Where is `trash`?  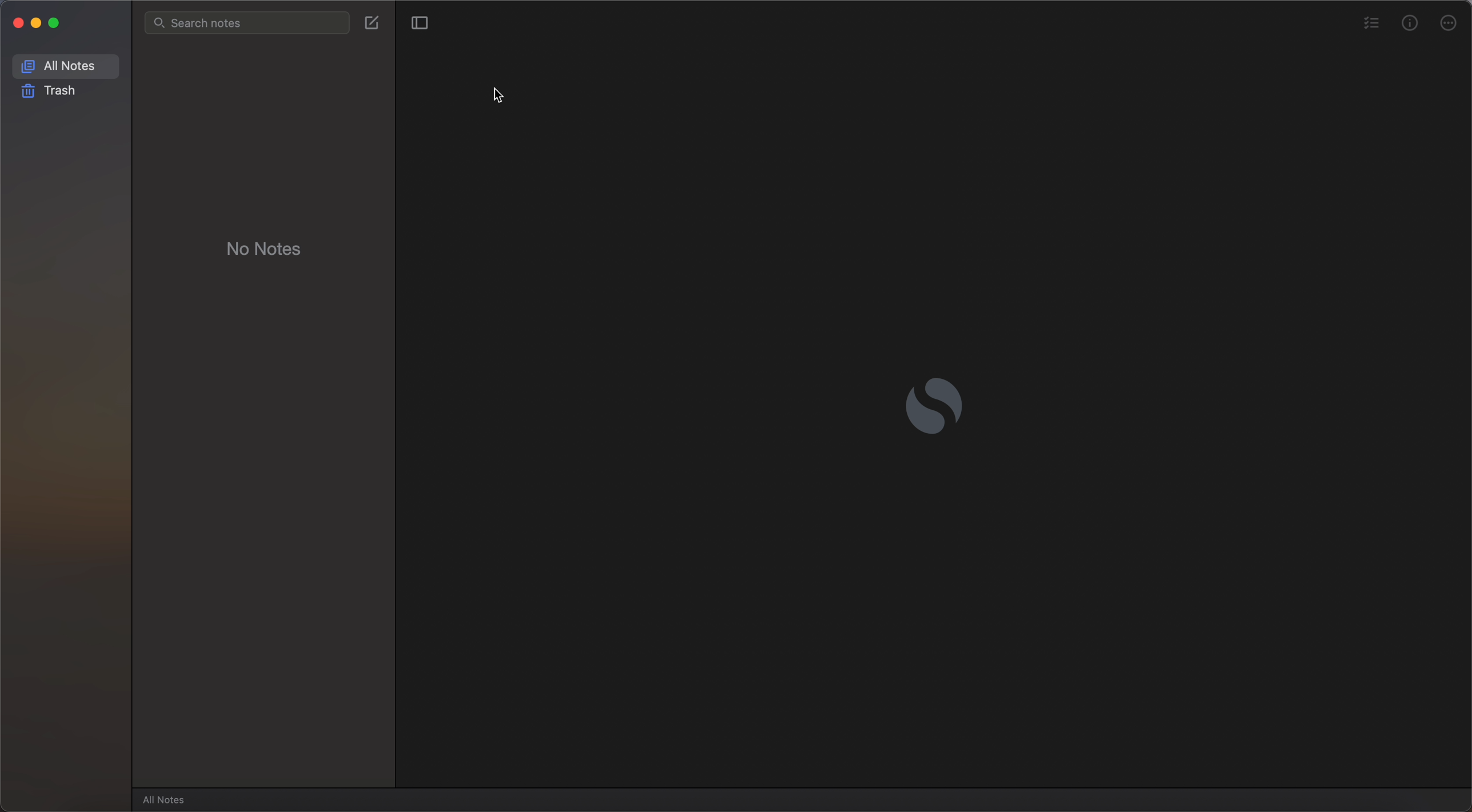 trash is located at coordinates (51, 91).